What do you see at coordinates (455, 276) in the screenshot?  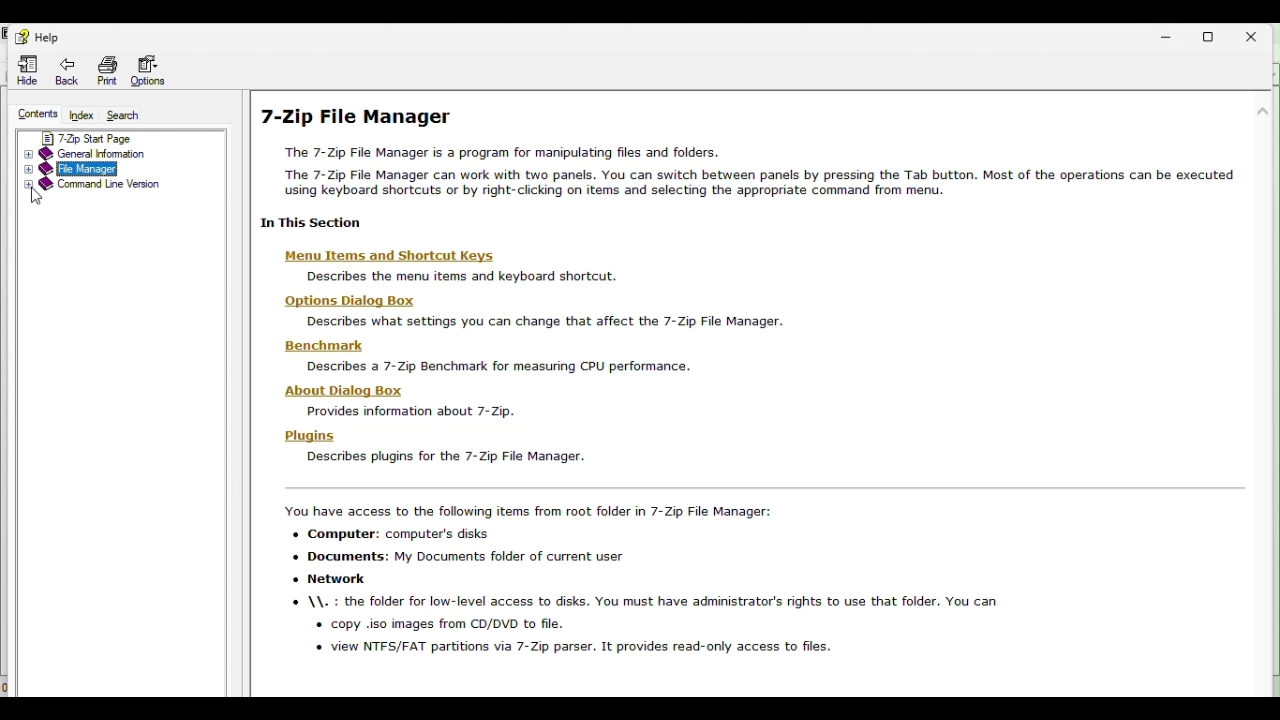 I see `Describes the menu items and keyboard shortcut.` at bounding box center [455, 276].